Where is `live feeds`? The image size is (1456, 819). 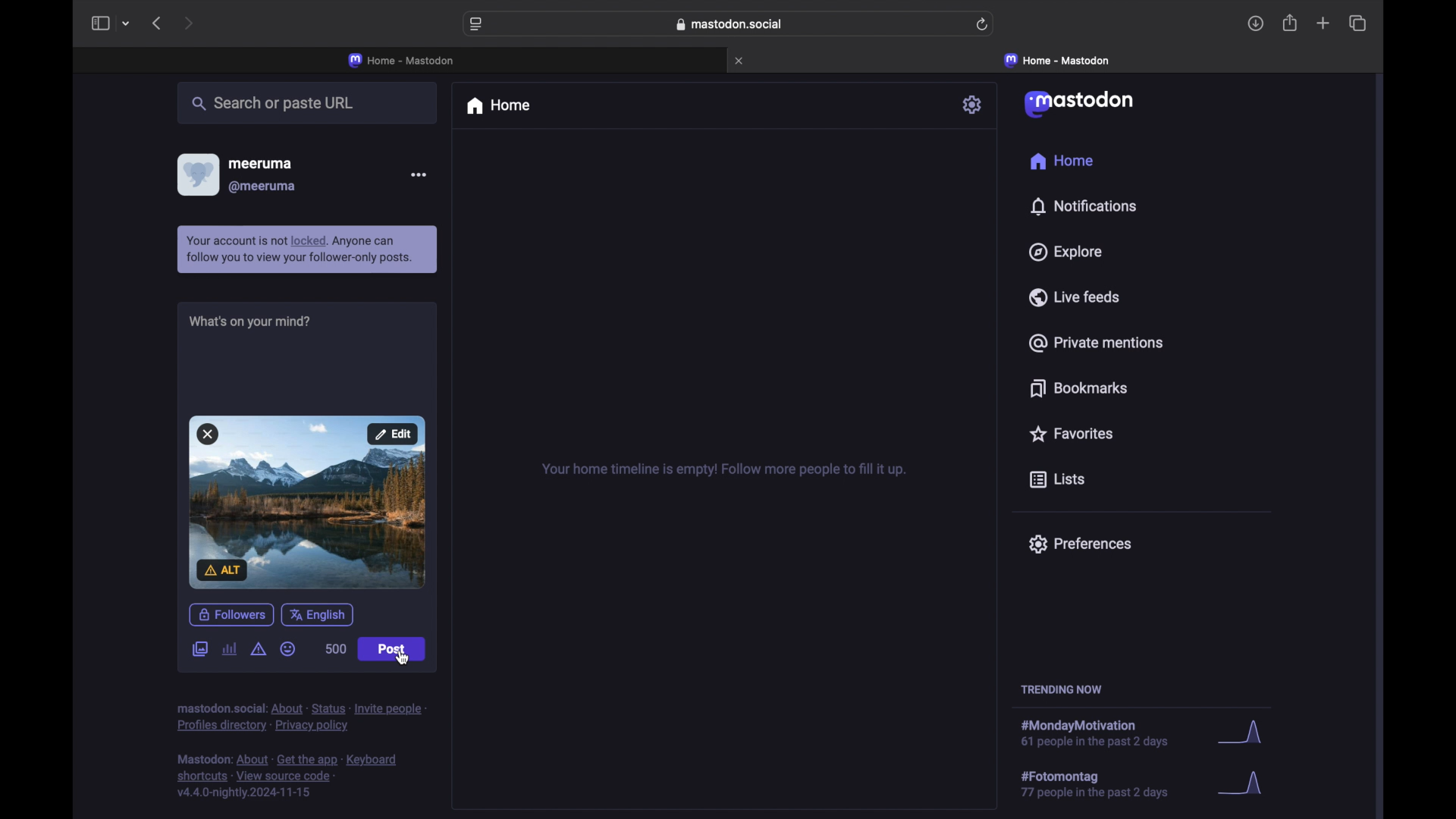 live feeds is located at coordinates (1075, 297).